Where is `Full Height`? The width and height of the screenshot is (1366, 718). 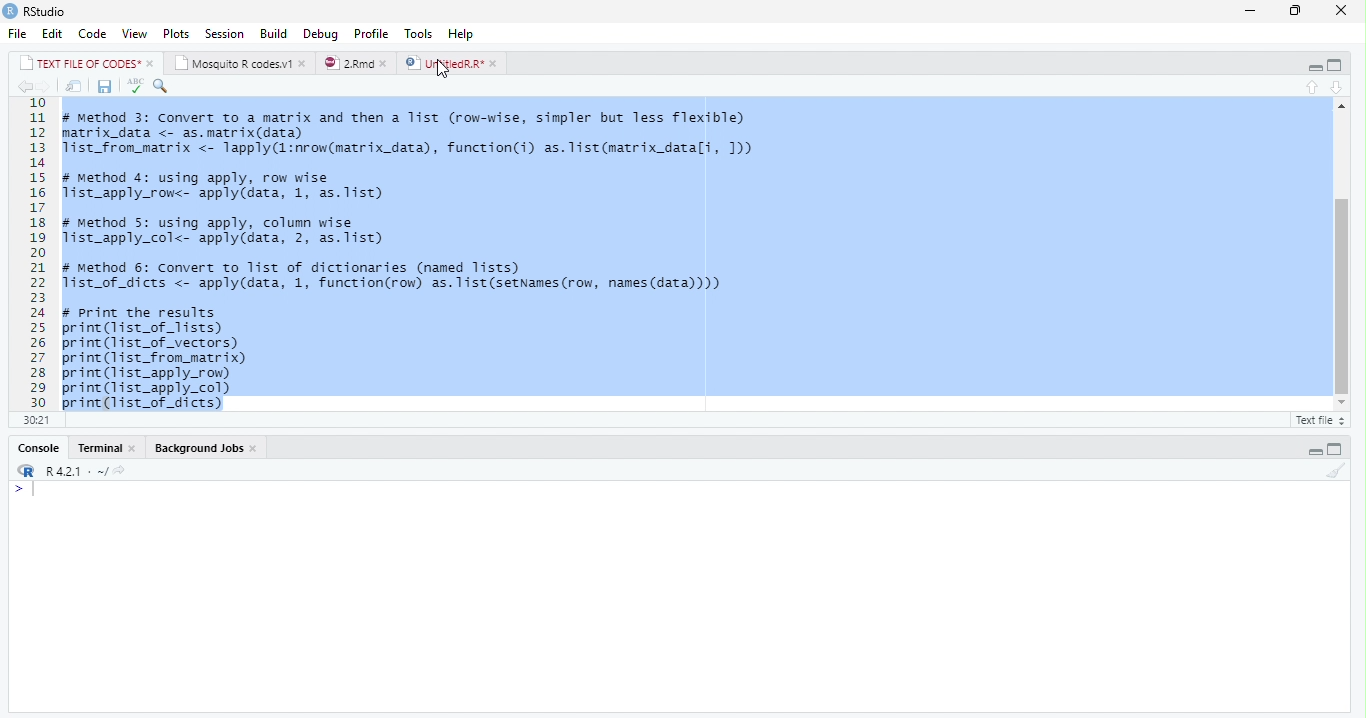 Full Height is located at coordinates (1335, 65).